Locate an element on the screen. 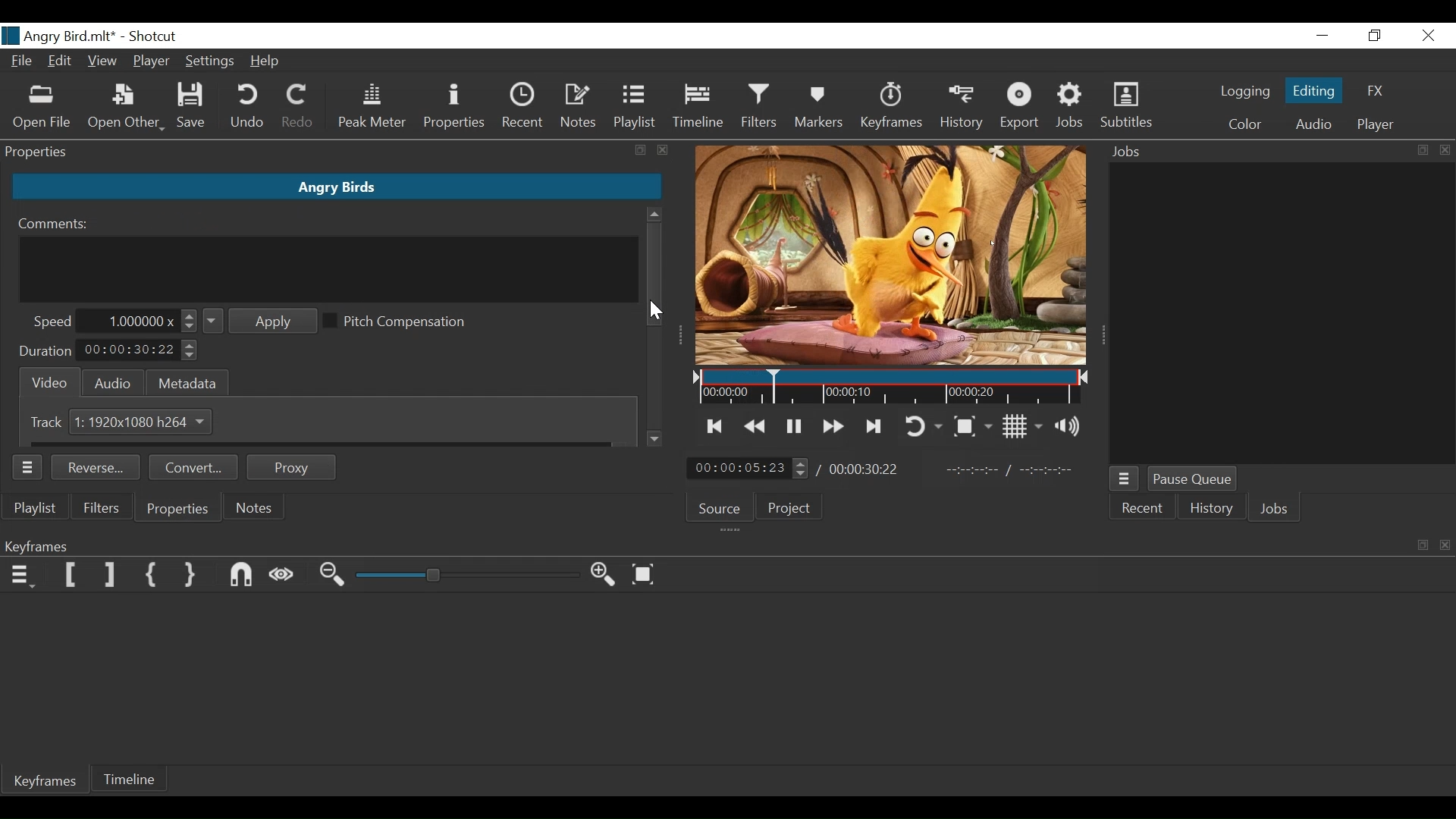 The height and width of the screenshot is (819, 1456). Edit is located at coordinates (60, 62).